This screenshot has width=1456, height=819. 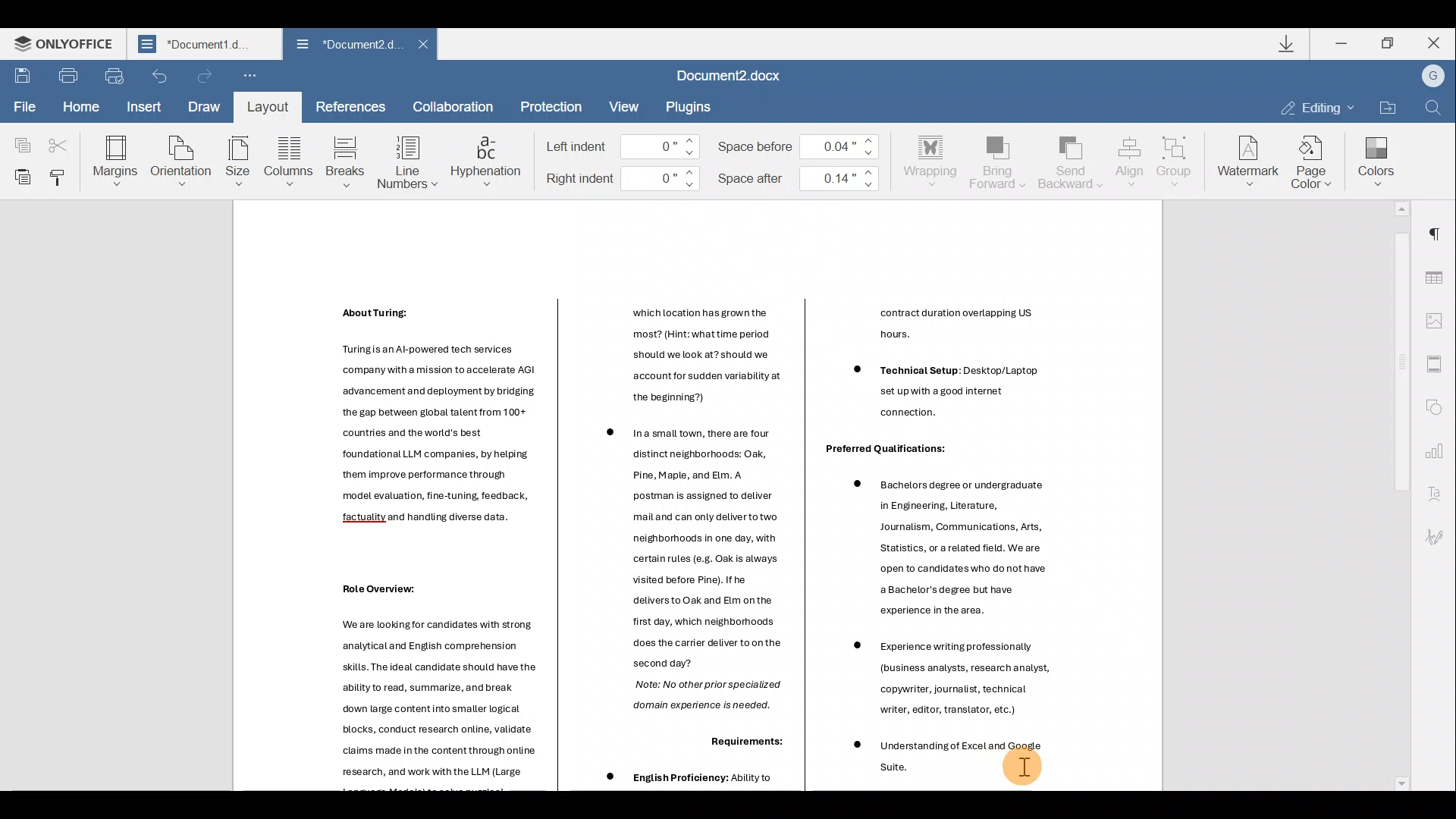 I want to click on Minimize, so click(x=1344, y=42).